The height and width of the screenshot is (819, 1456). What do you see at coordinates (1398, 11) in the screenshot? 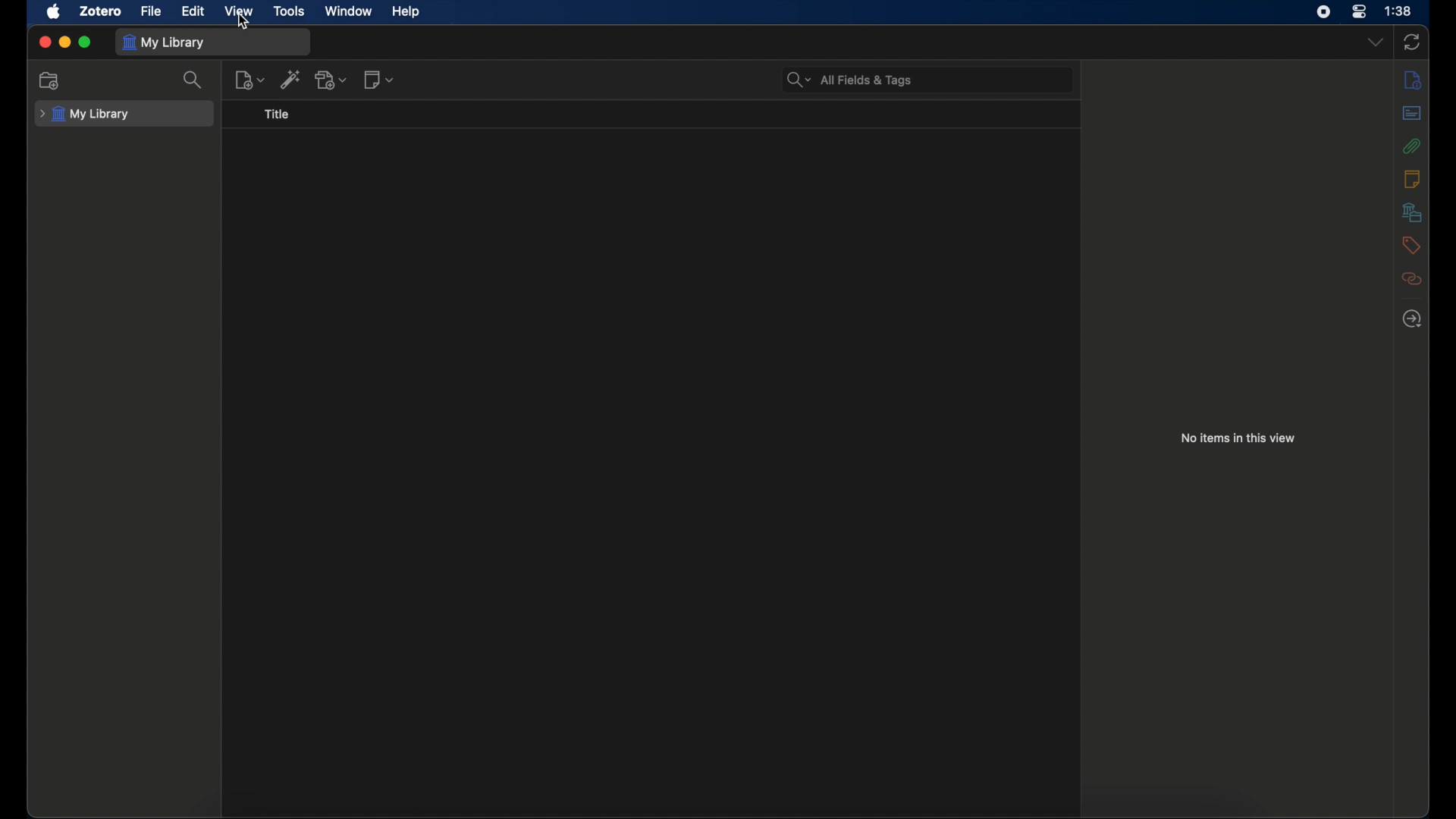
I see `time (1:38)` at bounding box center [1398, 11].